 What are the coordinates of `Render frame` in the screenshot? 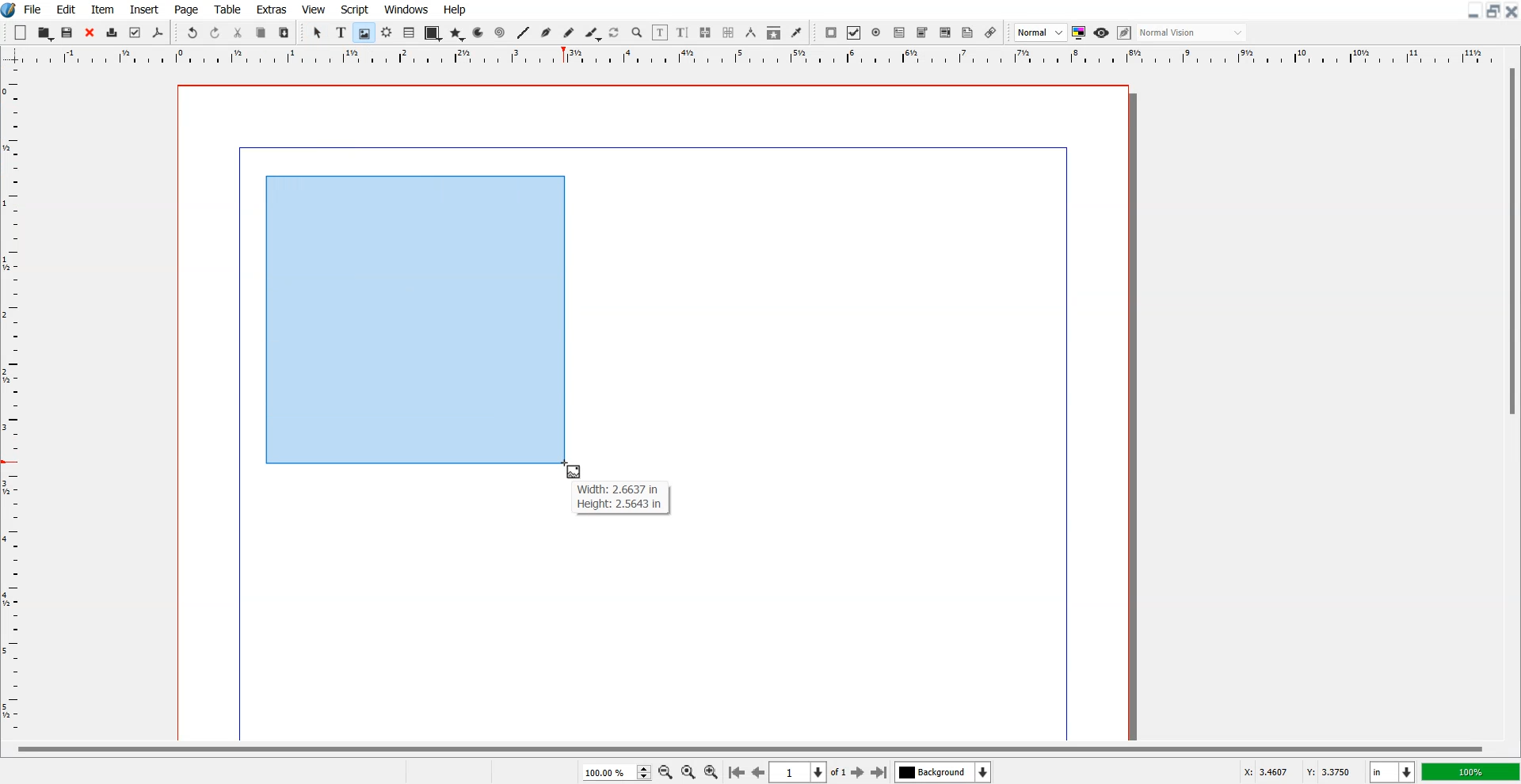 It's located at (387, 32).